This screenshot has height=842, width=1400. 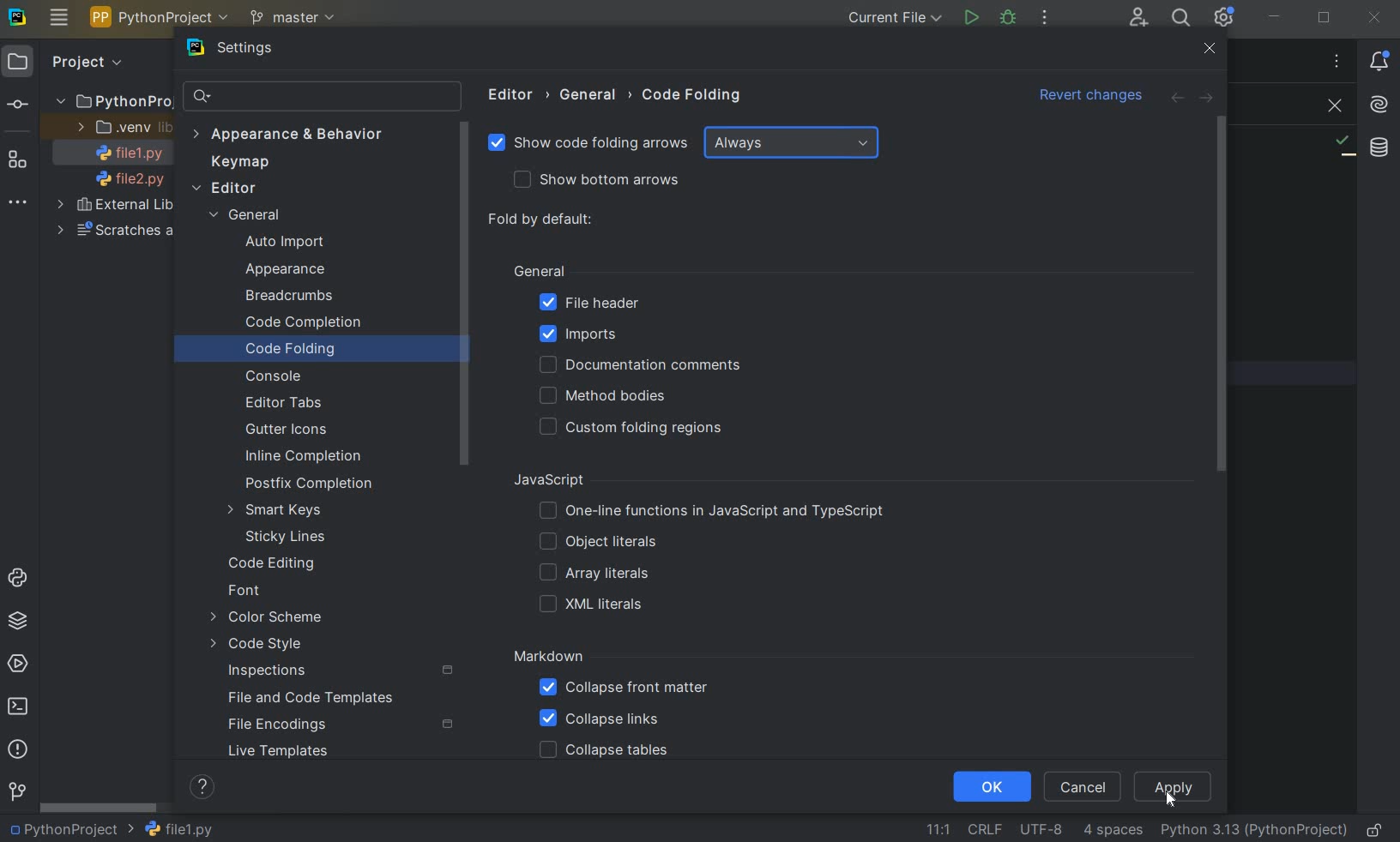 What do you see at coordinates (291, 430) in the screenshot?
I see `GUTTER ICONS` at bounding box center [291, 430].